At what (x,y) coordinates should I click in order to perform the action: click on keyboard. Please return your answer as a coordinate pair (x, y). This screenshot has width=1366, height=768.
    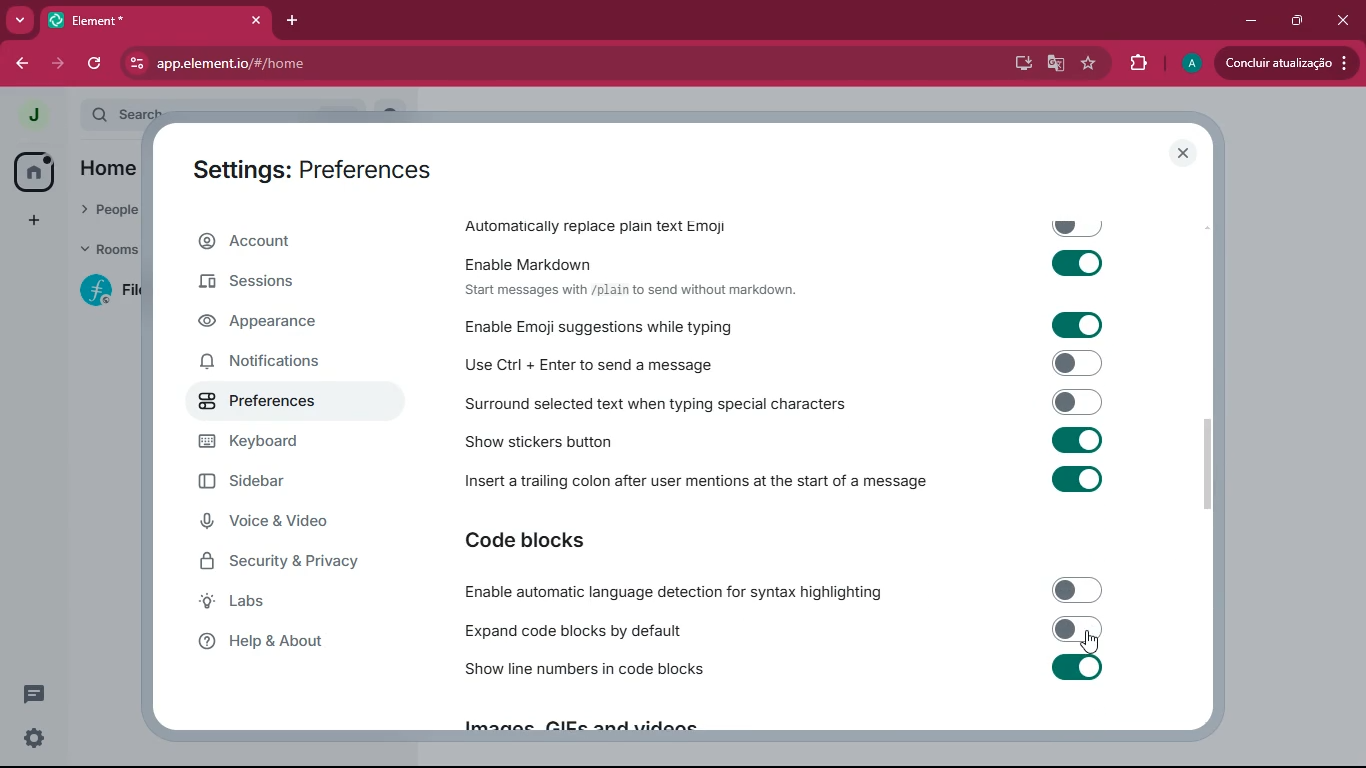
    Looking at the image, I should click on (299, 442).